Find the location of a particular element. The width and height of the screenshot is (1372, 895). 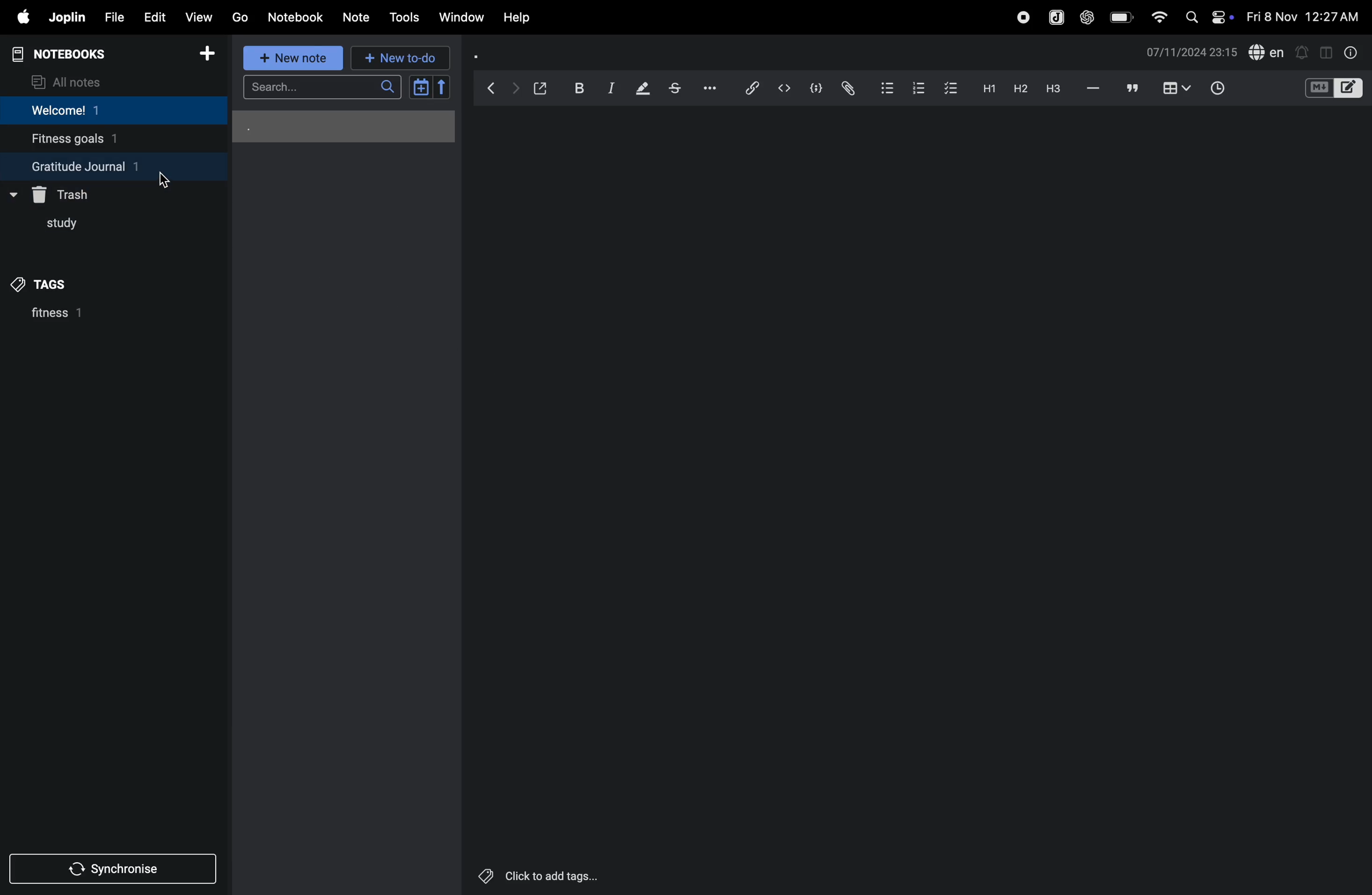

heading 1 is located at coordinates (986, 90).